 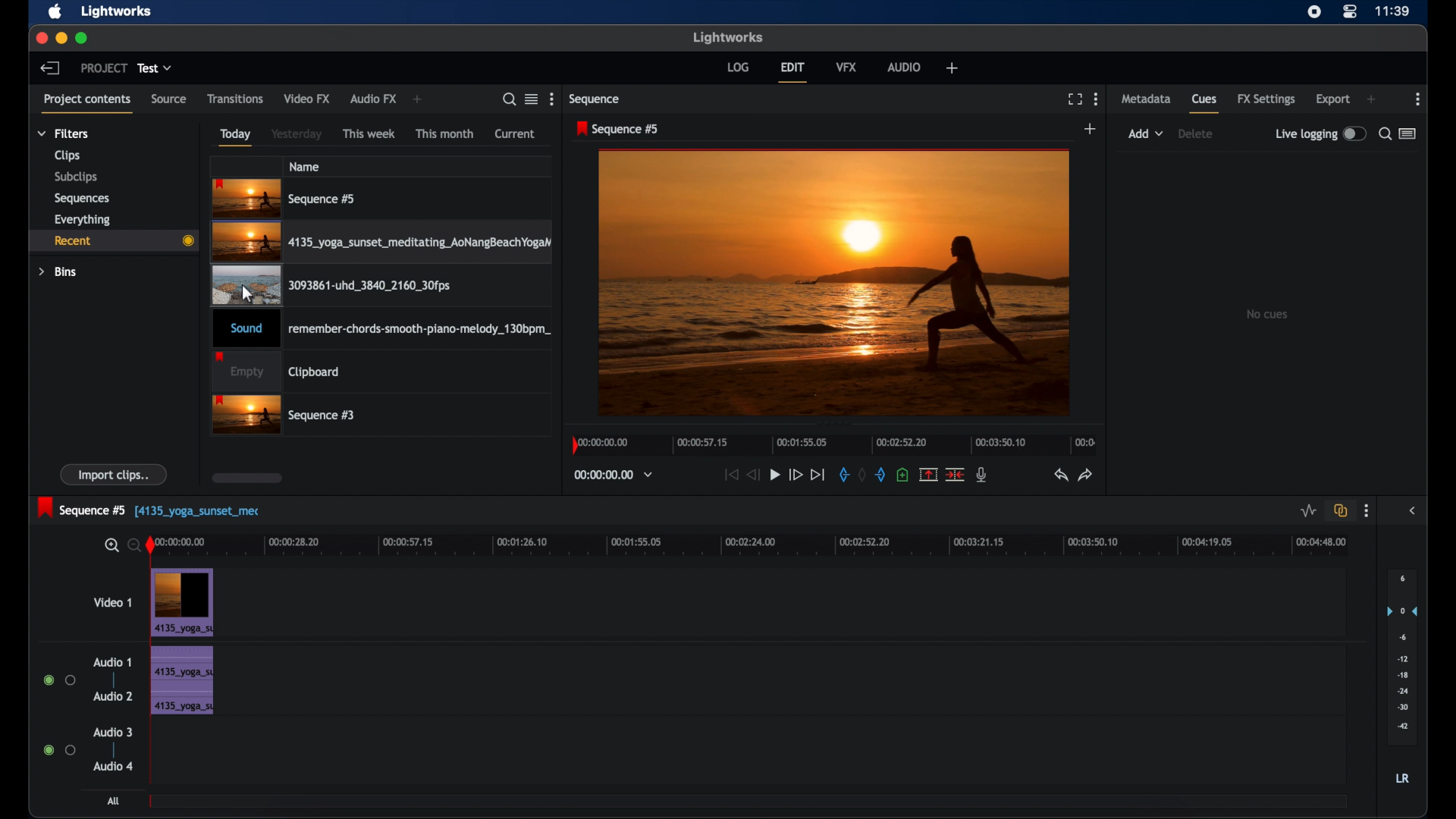 What do you see at coordinates (883, 475) in the screenshot?
I see `out mark` at bounding box center [883, 475].